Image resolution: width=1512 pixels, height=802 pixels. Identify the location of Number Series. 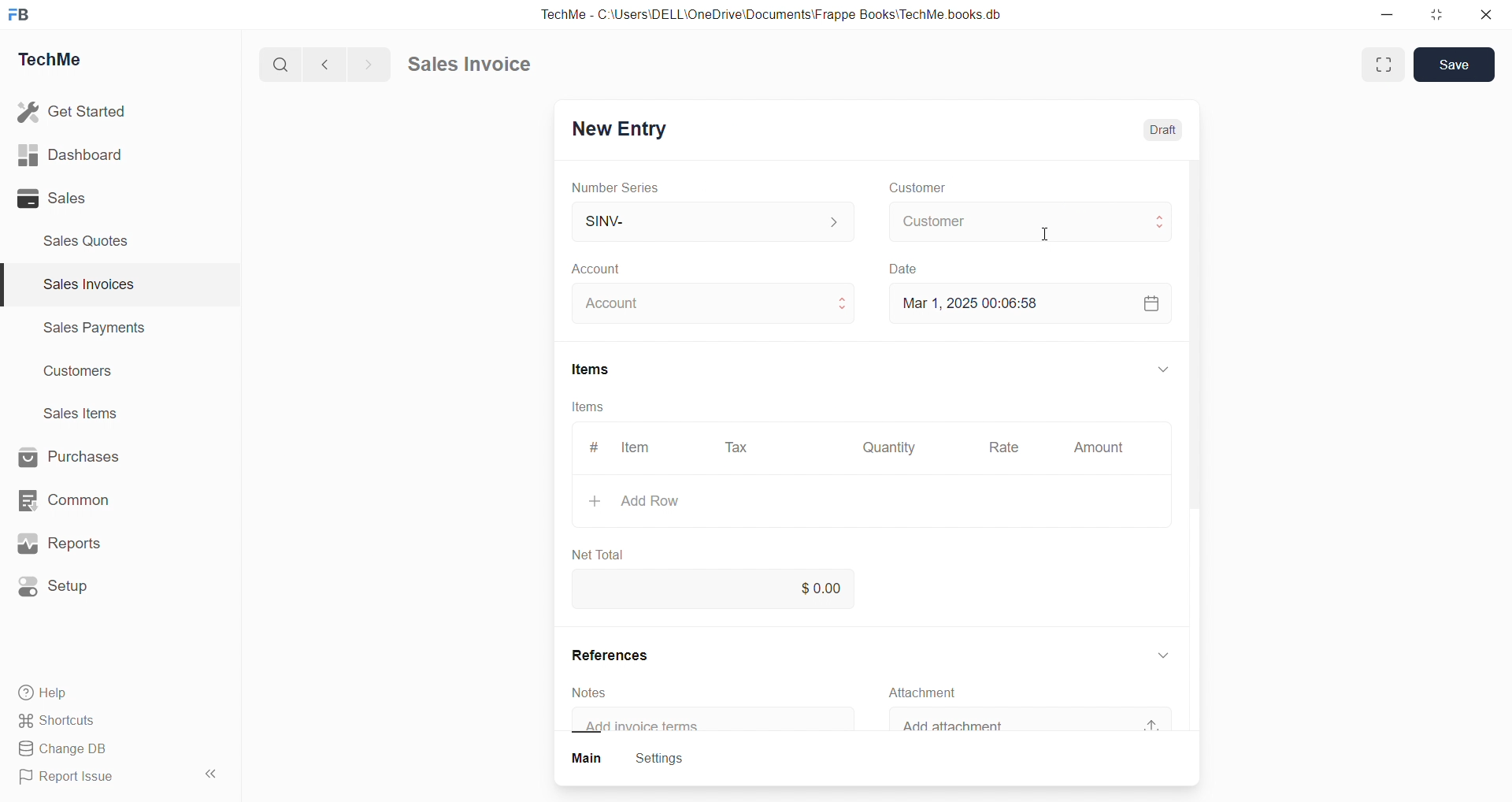
(626, 188).